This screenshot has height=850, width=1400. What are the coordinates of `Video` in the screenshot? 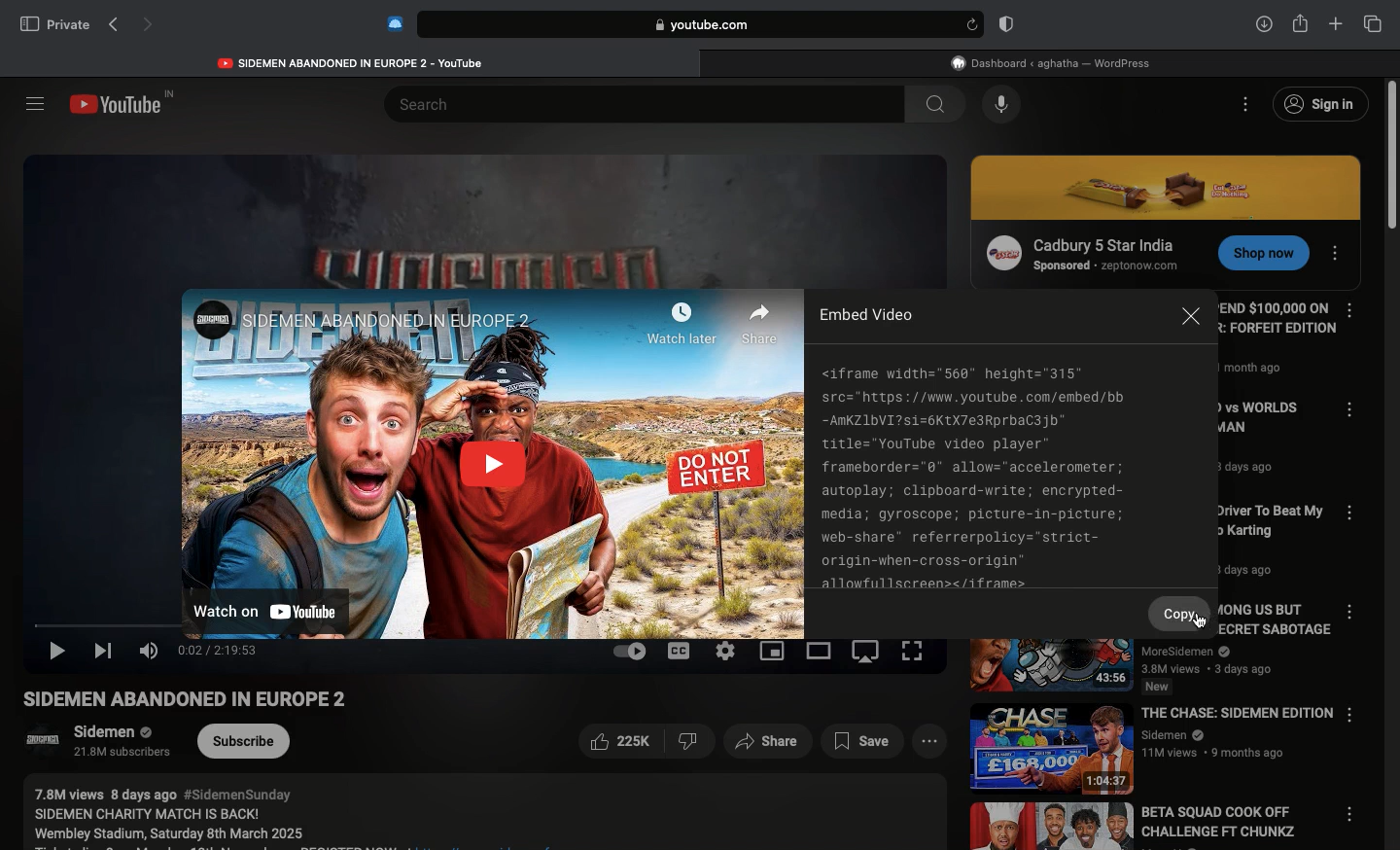 It's located at (492, 460).